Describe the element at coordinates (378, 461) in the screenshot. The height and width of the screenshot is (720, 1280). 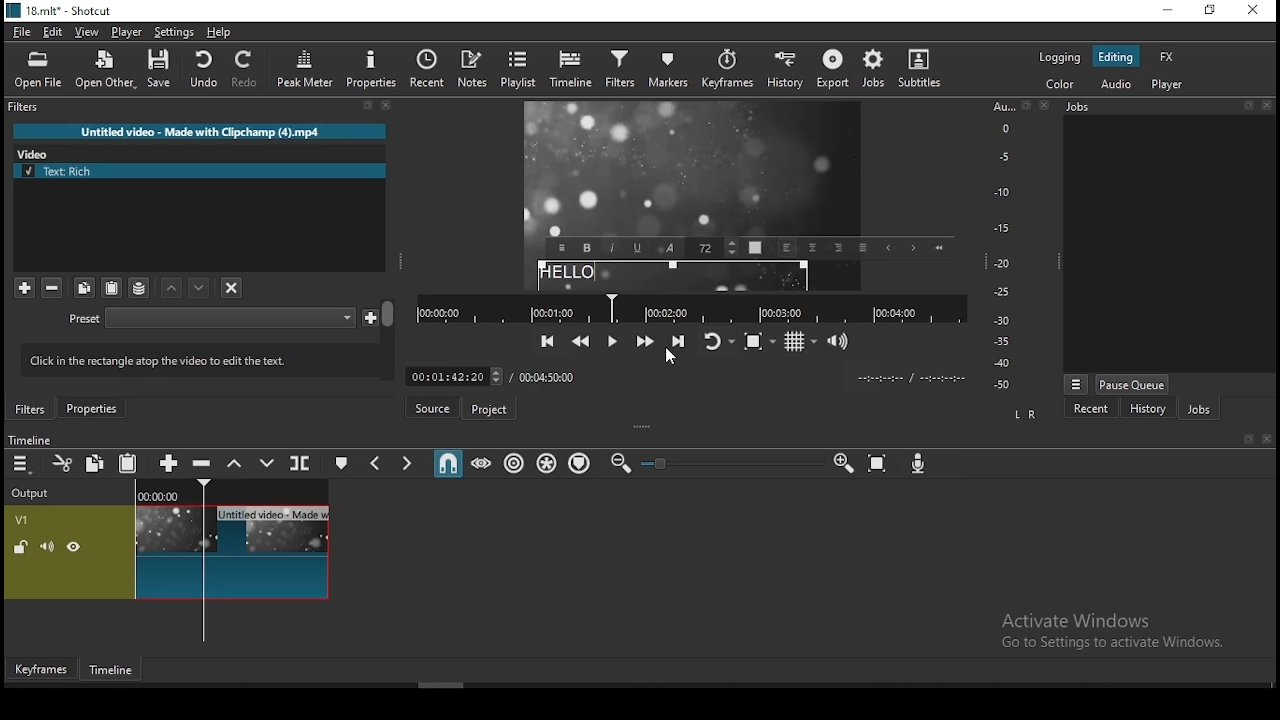
I see `previous marker` at that location.